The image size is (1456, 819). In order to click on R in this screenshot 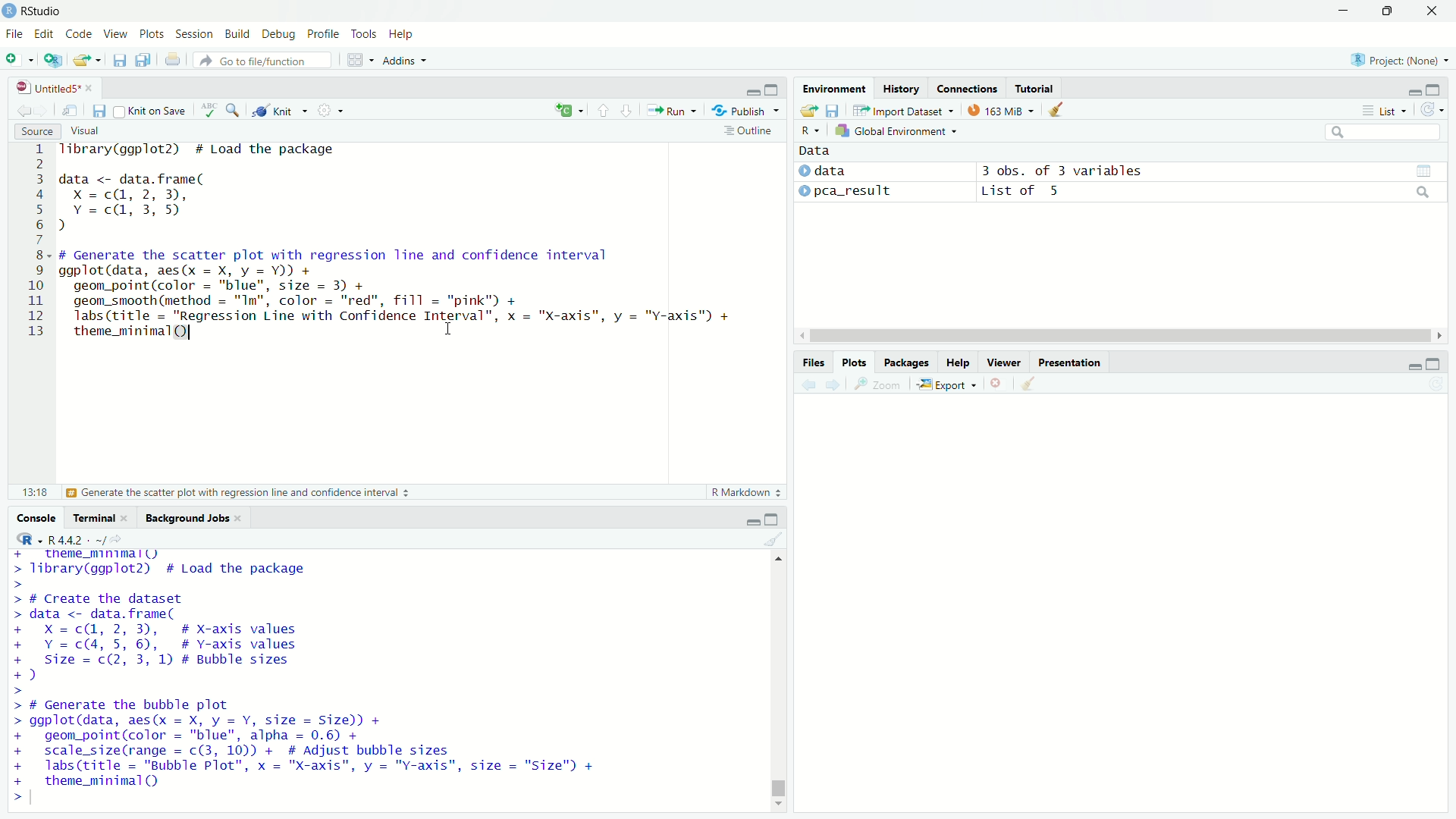, I will do `click(811, 130)`.